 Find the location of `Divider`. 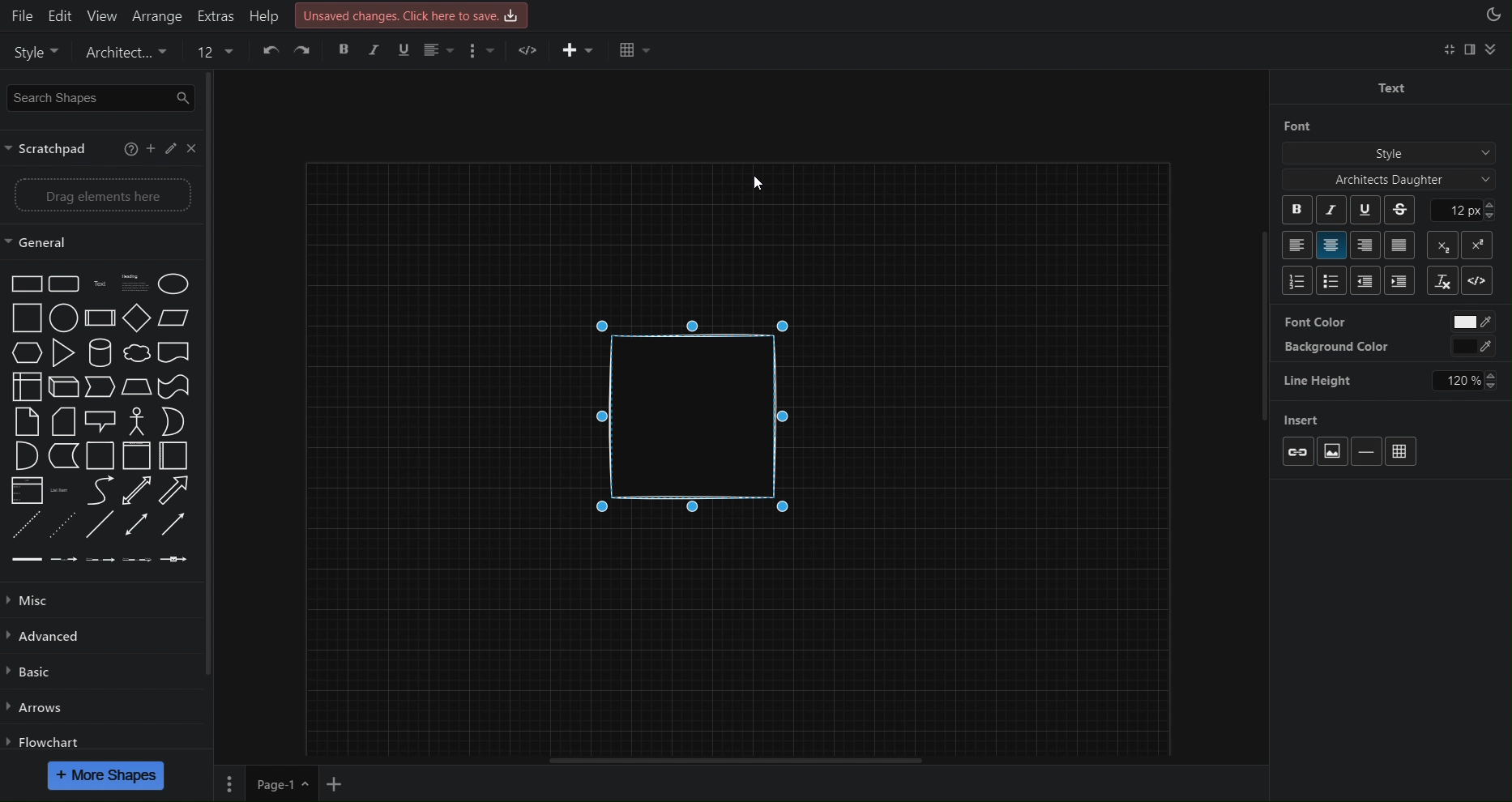

Divider is located at coordinates (1478, 282).